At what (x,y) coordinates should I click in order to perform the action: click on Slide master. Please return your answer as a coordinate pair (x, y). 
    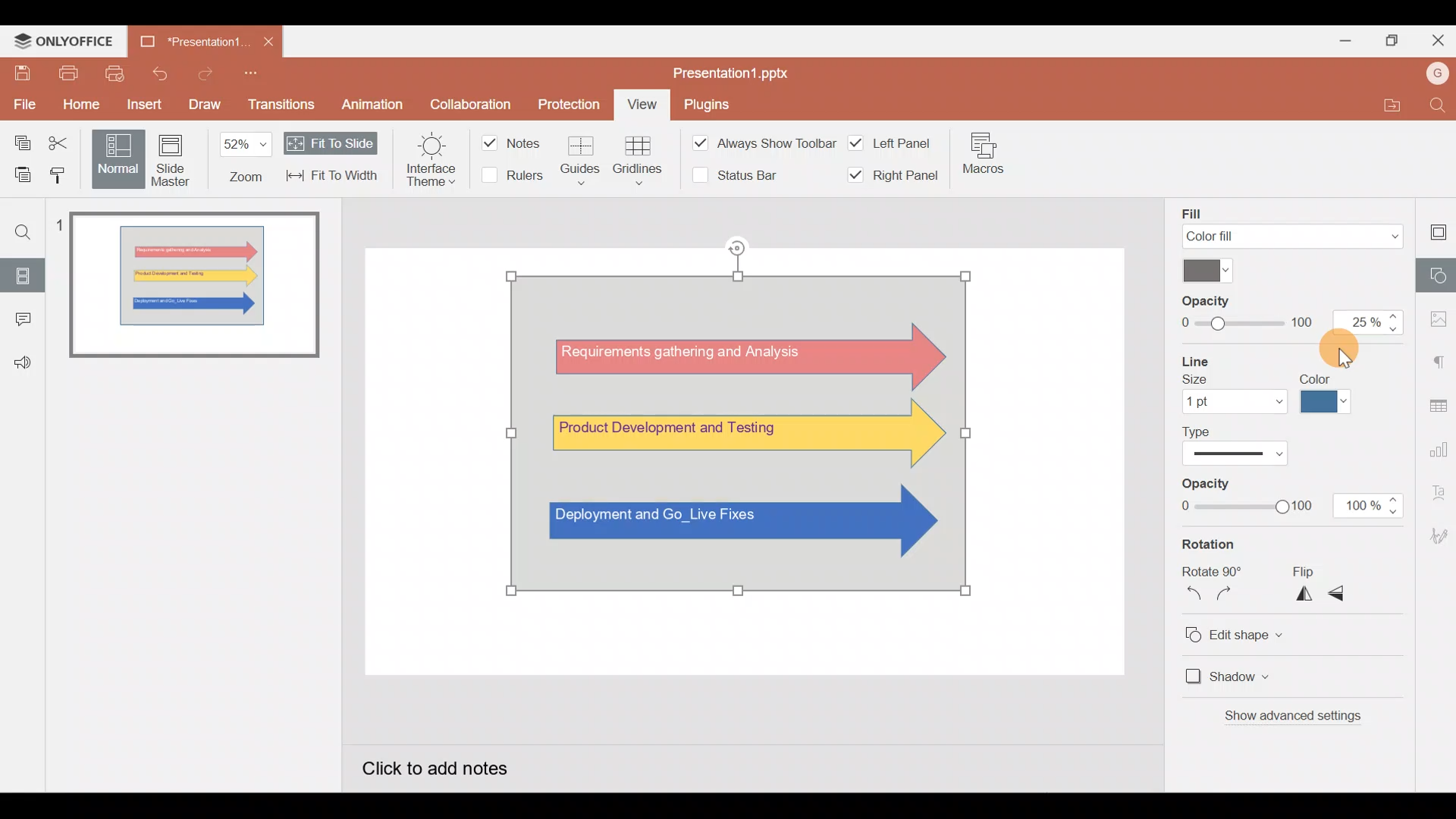
    Looking at the image, I should click on (171, 160).